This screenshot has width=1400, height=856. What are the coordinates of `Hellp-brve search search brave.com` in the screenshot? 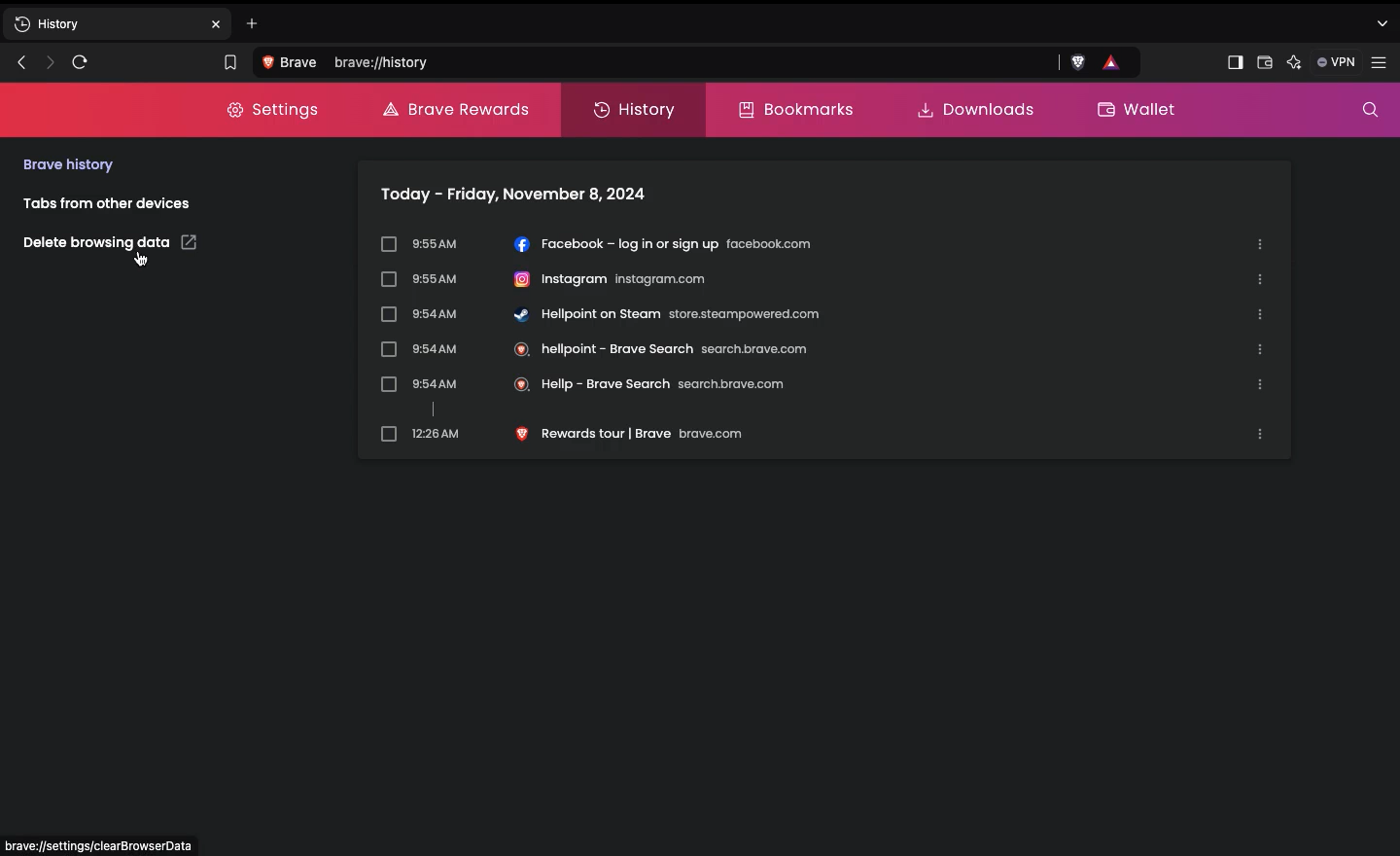 It's located at (822, 385).